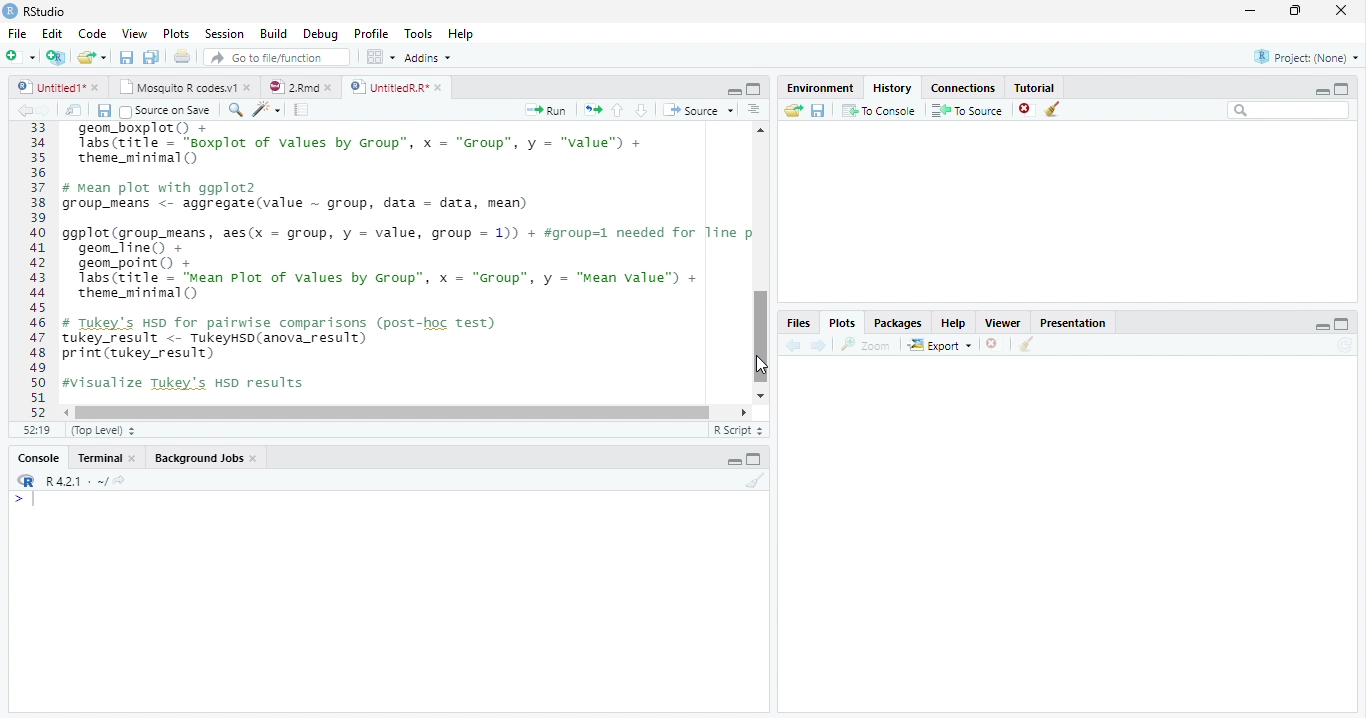 The width and height of the screenshot is (1366, 718). What do you see at coordinates (26, 111) in the screenshot?
I see `Back ` at bounding box center [26, 111].